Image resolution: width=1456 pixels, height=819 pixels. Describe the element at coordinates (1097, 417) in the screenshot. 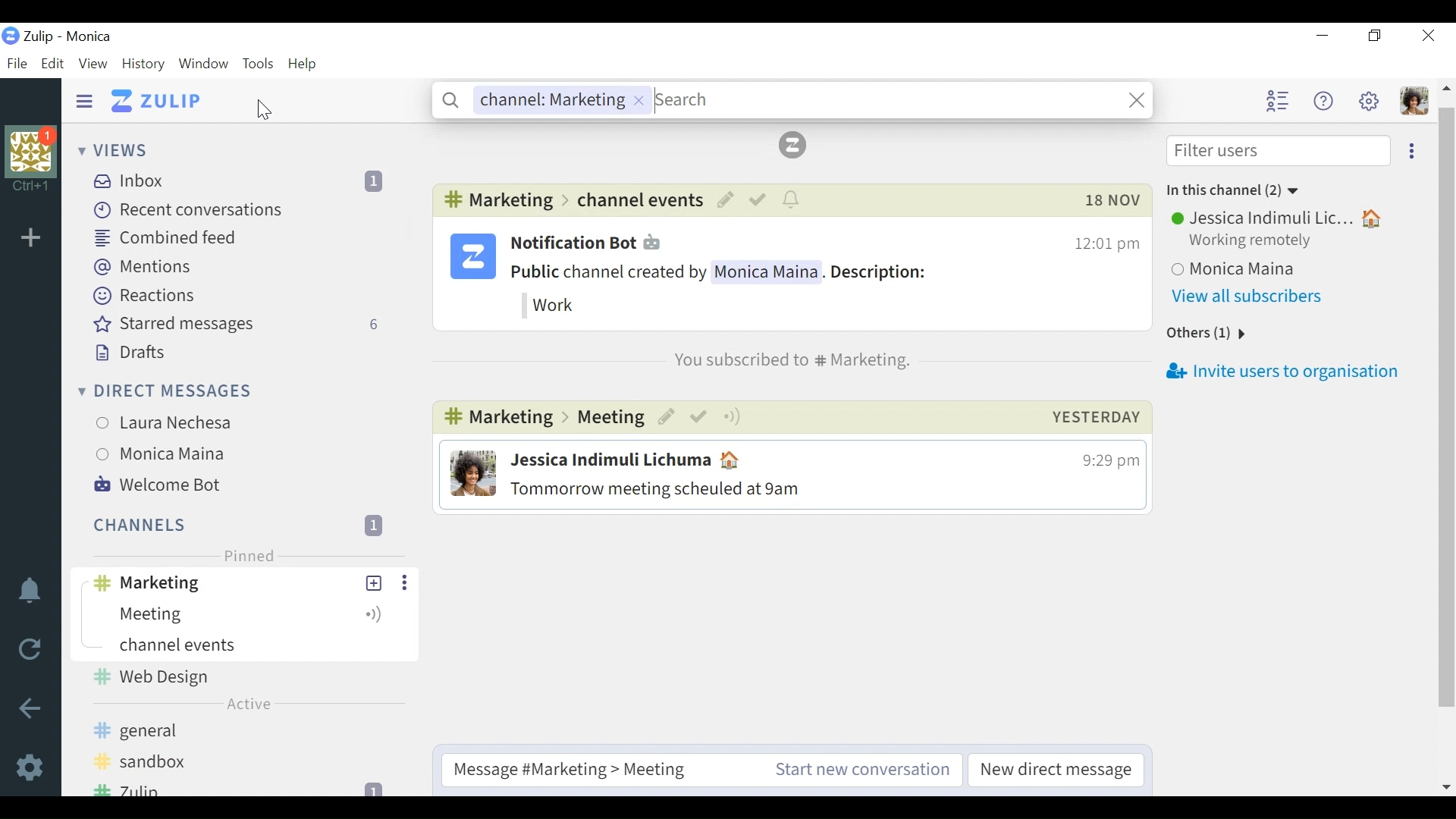

I see `Day` at that location.